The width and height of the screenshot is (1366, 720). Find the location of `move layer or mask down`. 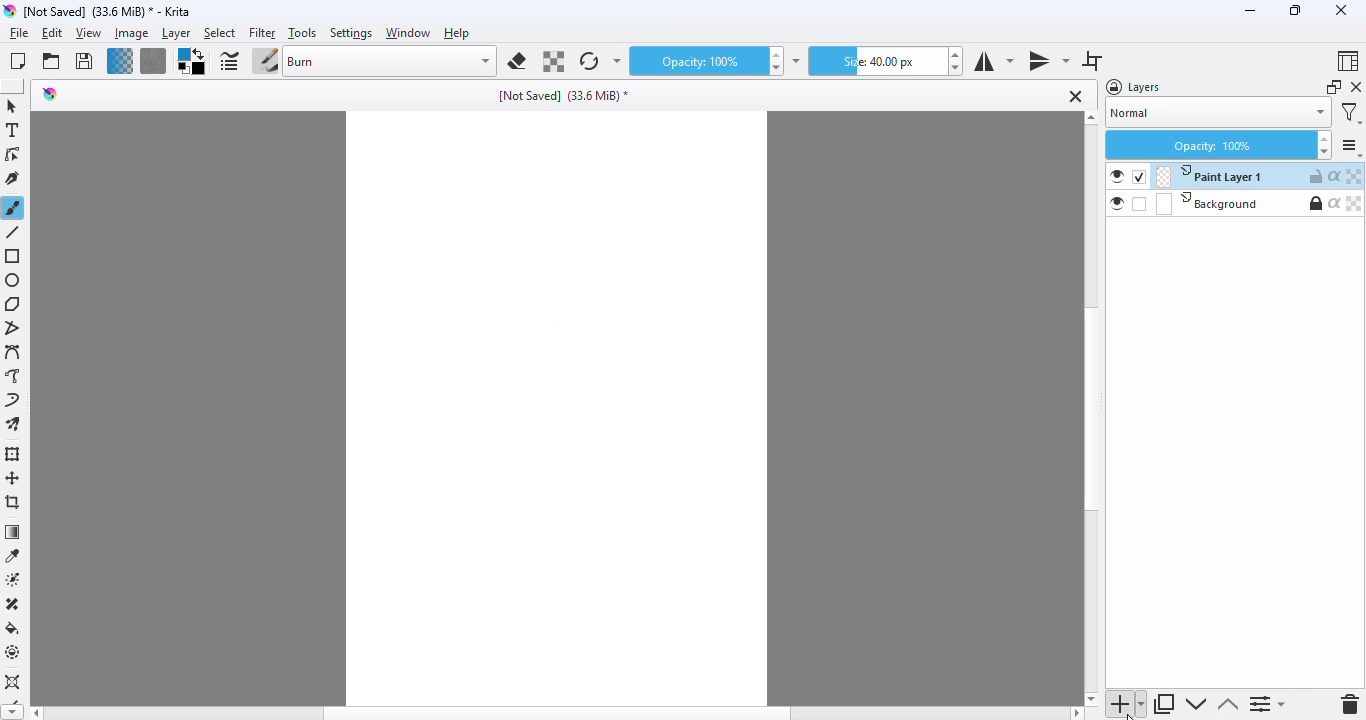

move layer or mask down is located at coordinates (1194, 704).